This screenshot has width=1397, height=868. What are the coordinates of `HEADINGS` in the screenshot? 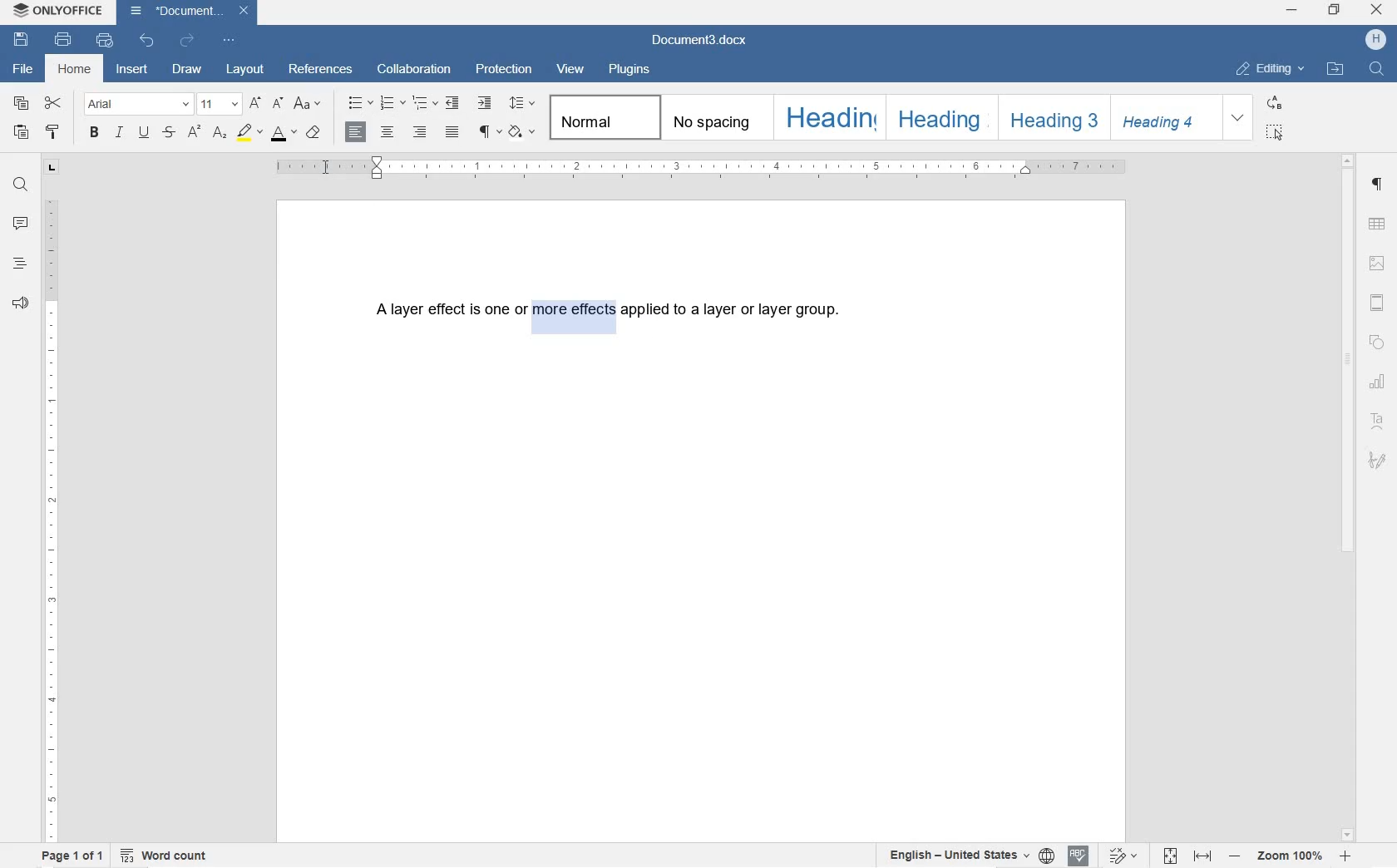 It's located at (19, 265).